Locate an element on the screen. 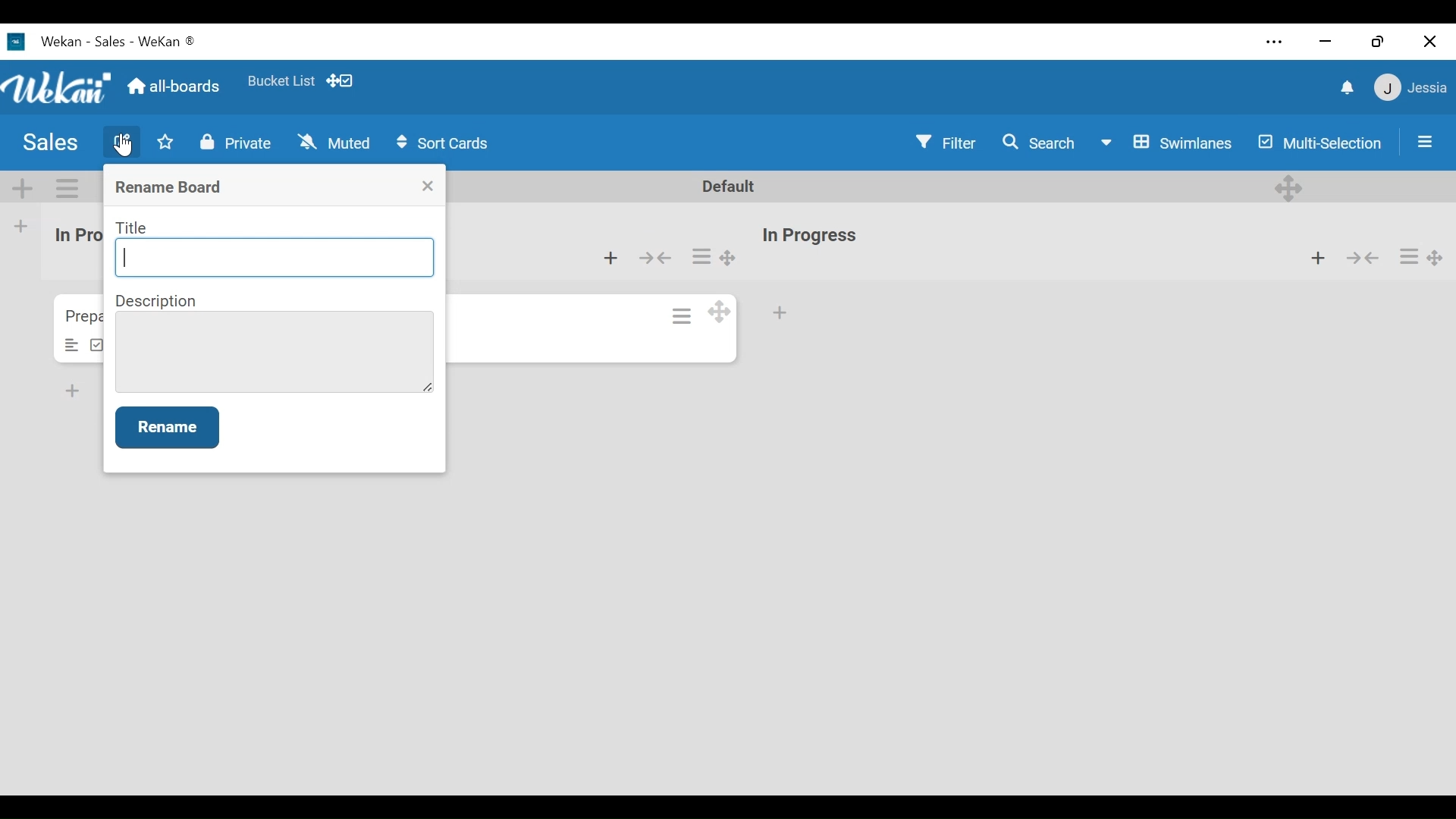 This screenshot has width=1456, height=819. Sidebar is located at coordinates (1423, 142).